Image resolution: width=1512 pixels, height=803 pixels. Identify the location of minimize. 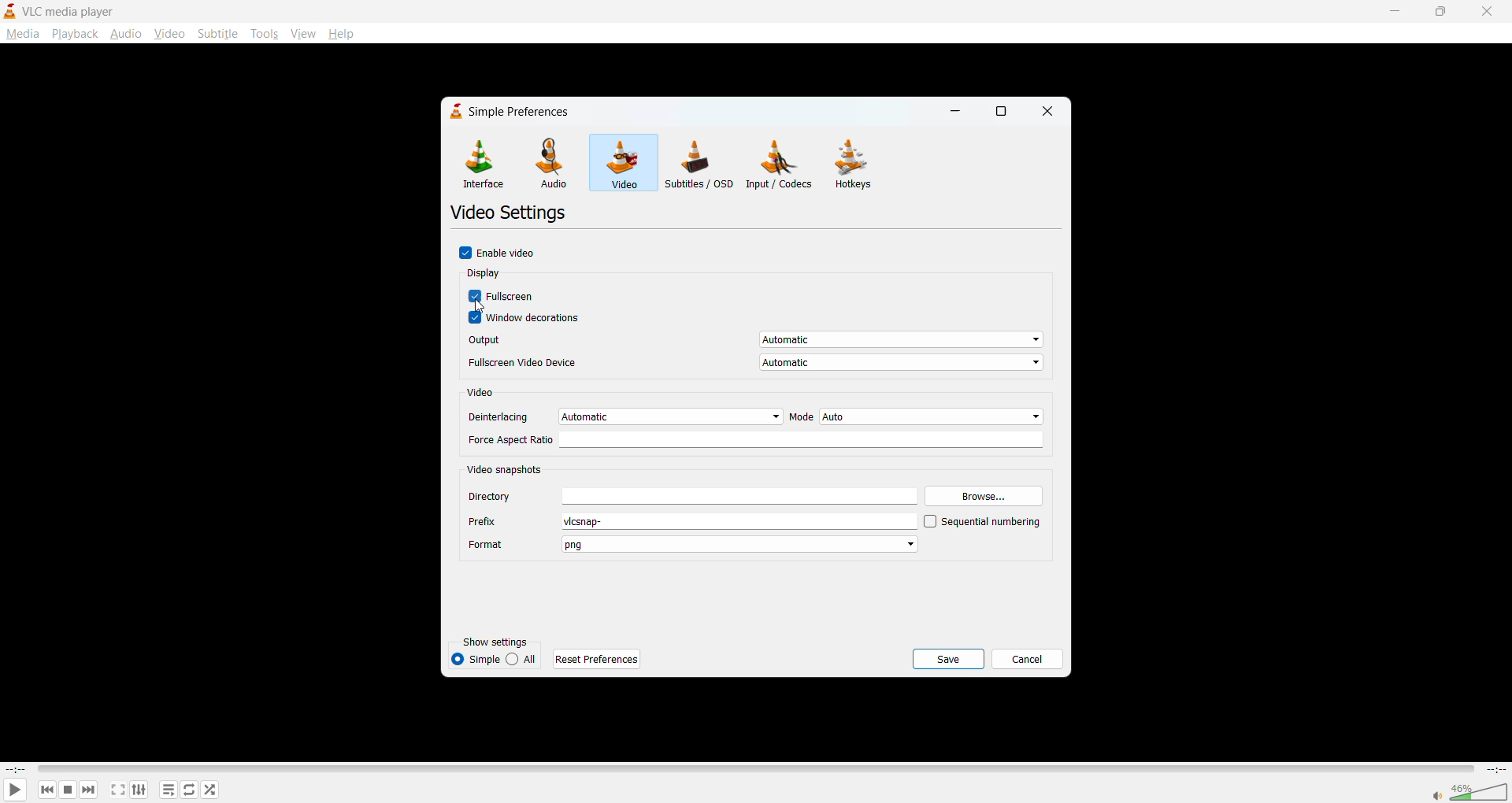
(1397, 10).